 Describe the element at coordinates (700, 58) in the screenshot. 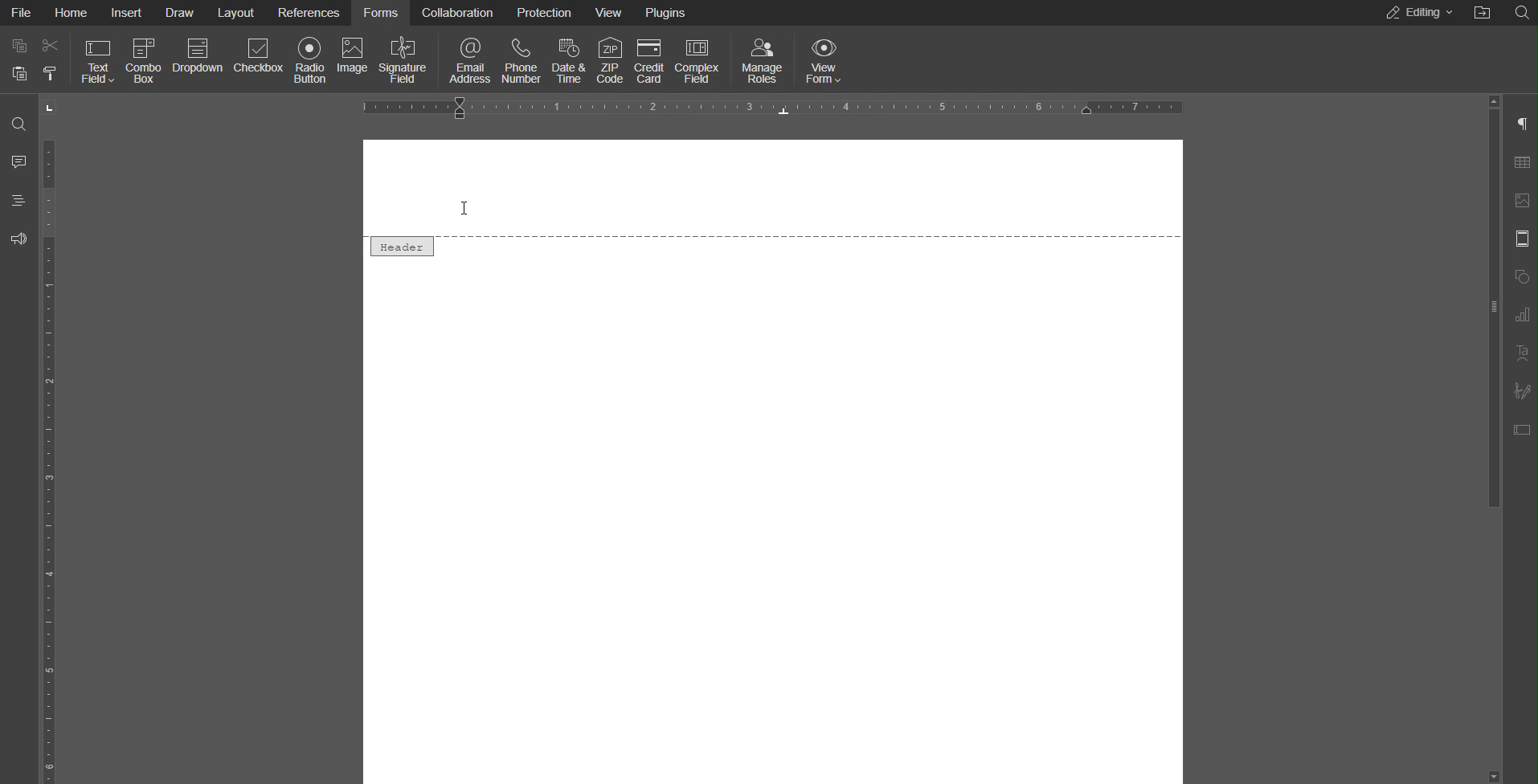

I see `Complex Field` at that location.